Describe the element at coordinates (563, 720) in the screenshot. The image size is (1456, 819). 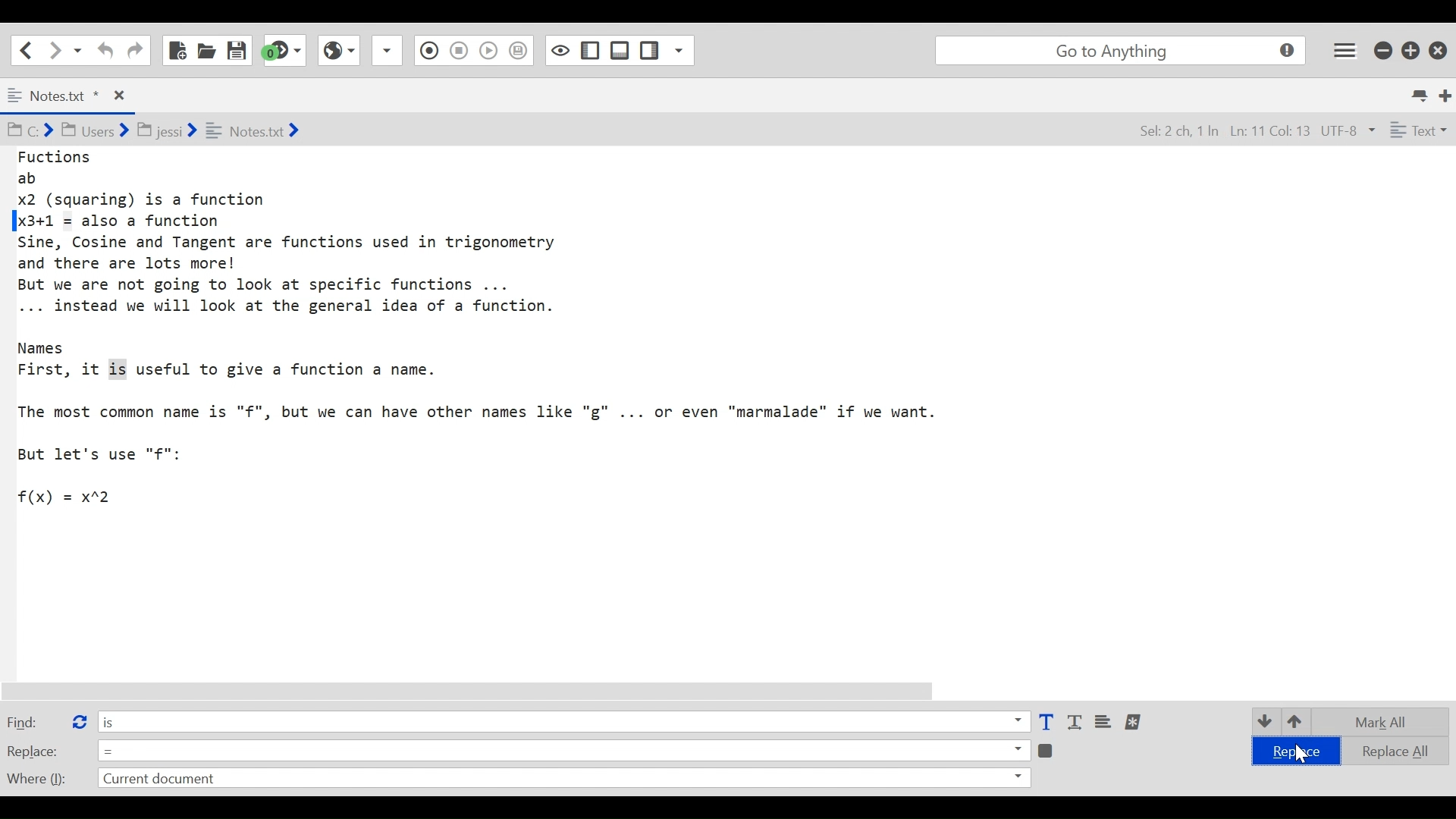
I see `is` at that location.